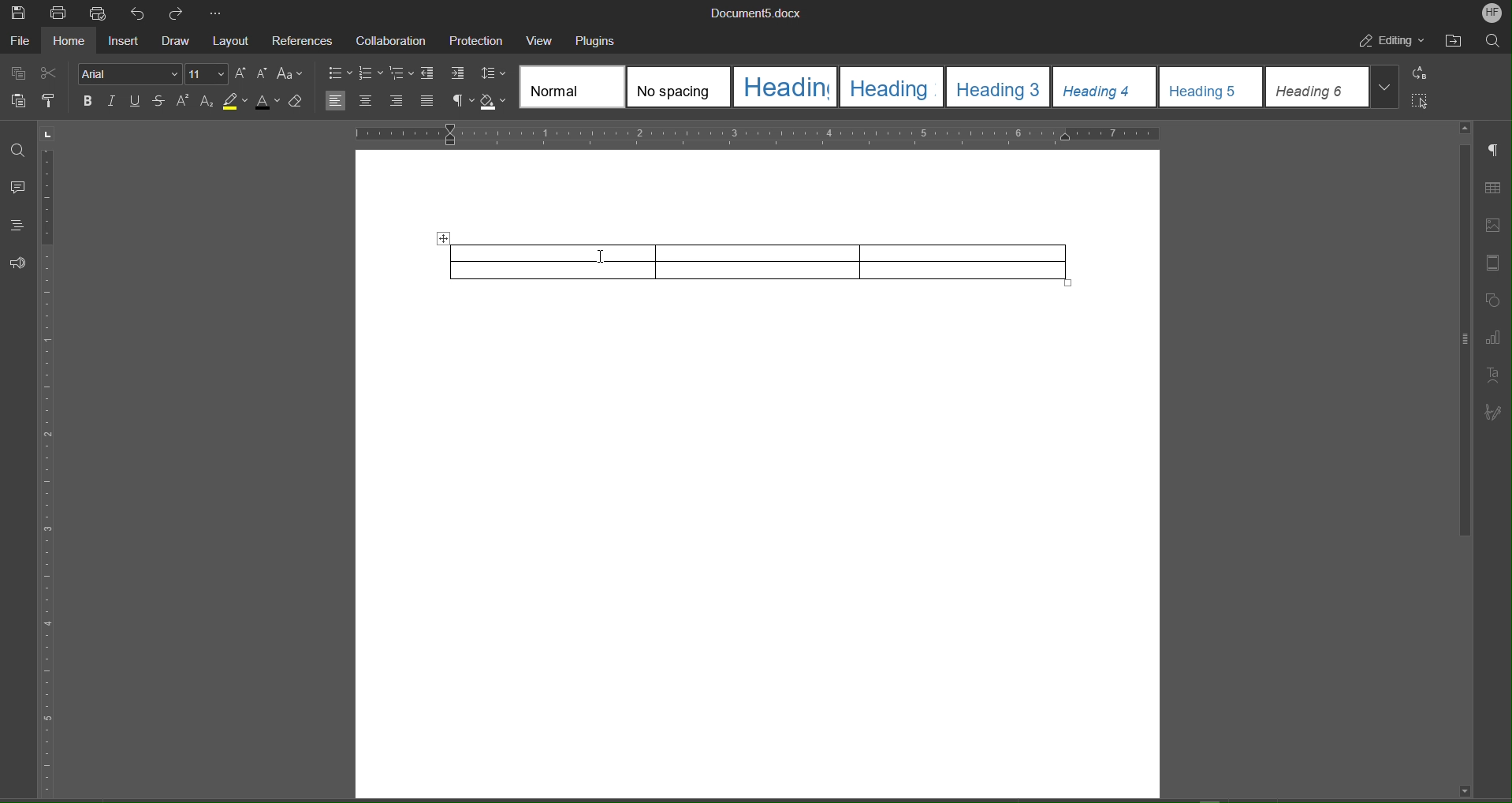  Describe the element at coordinates (402, 74) in the screenshot. I see `Multilevel list` at that location.